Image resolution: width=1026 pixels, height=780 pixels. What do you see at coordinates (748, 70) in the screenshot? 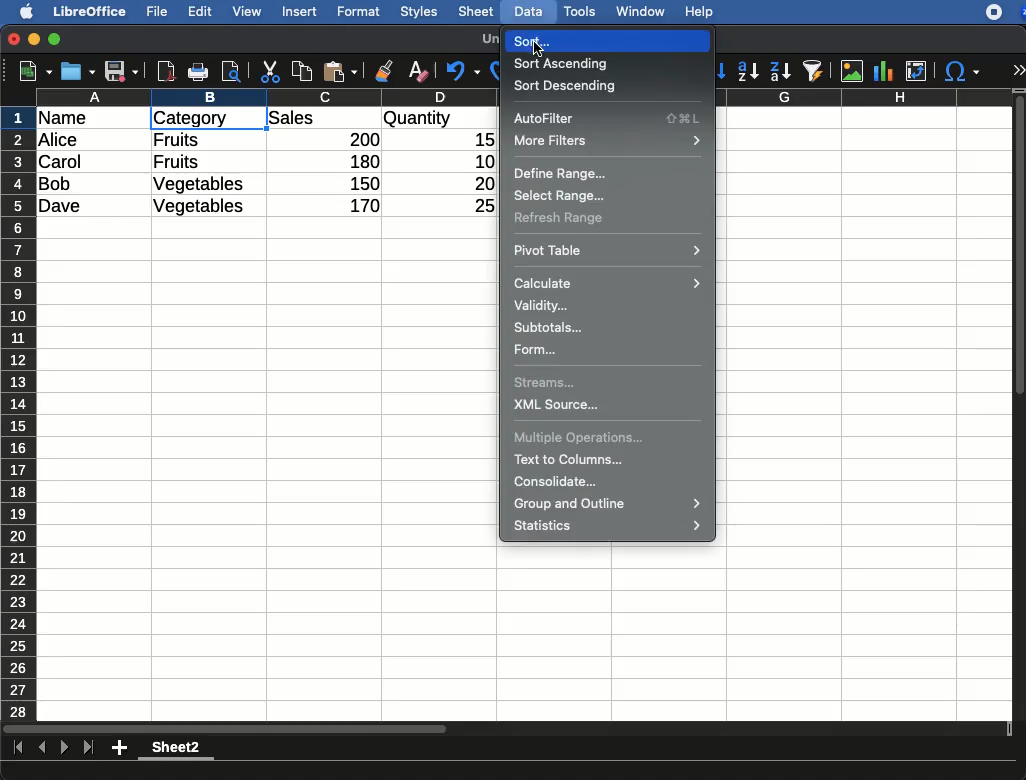
I see `ascending` at bounding box center [748, 70].